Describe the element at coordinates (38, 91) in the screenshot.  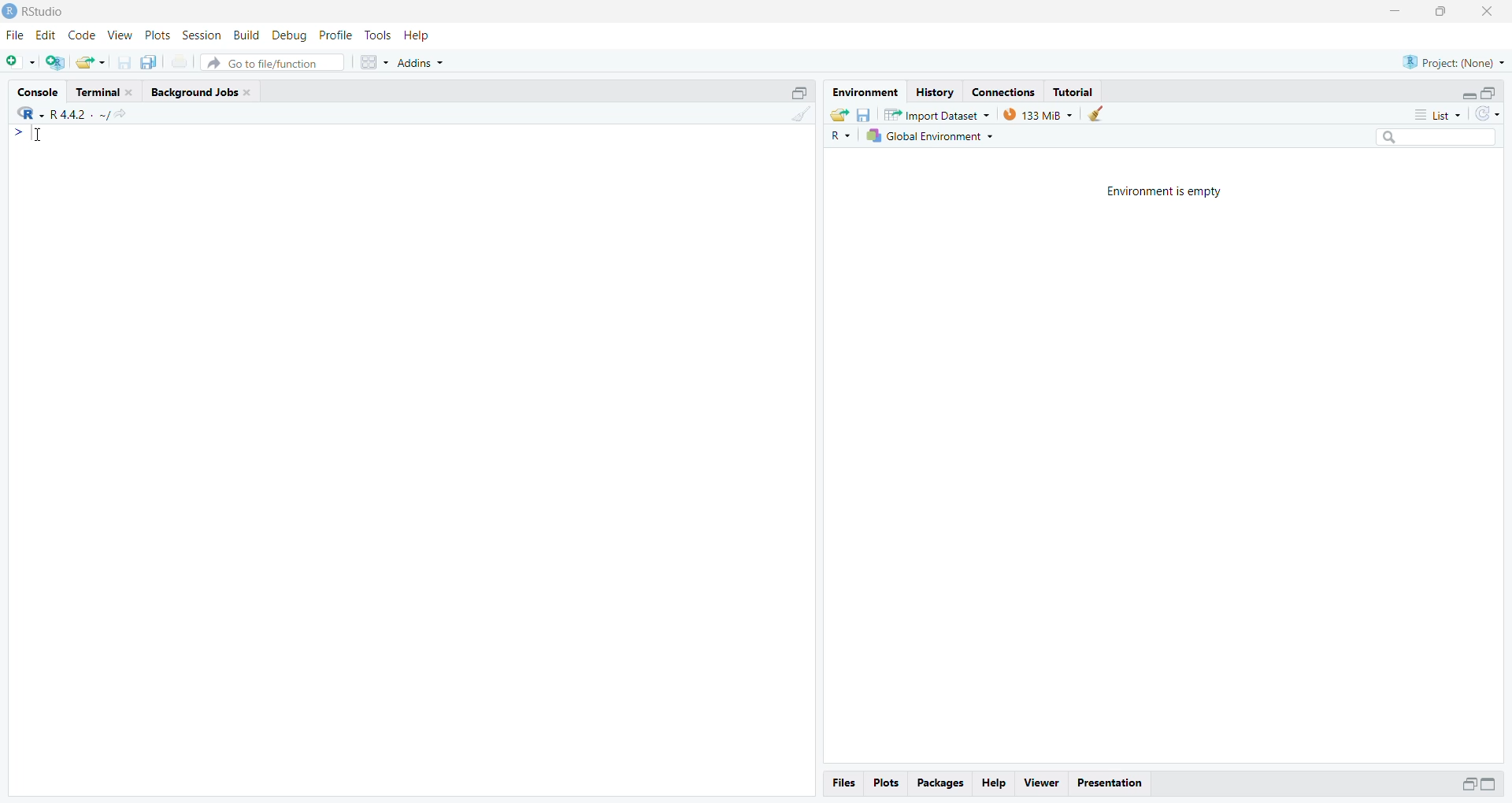
I see `Console` at that location.